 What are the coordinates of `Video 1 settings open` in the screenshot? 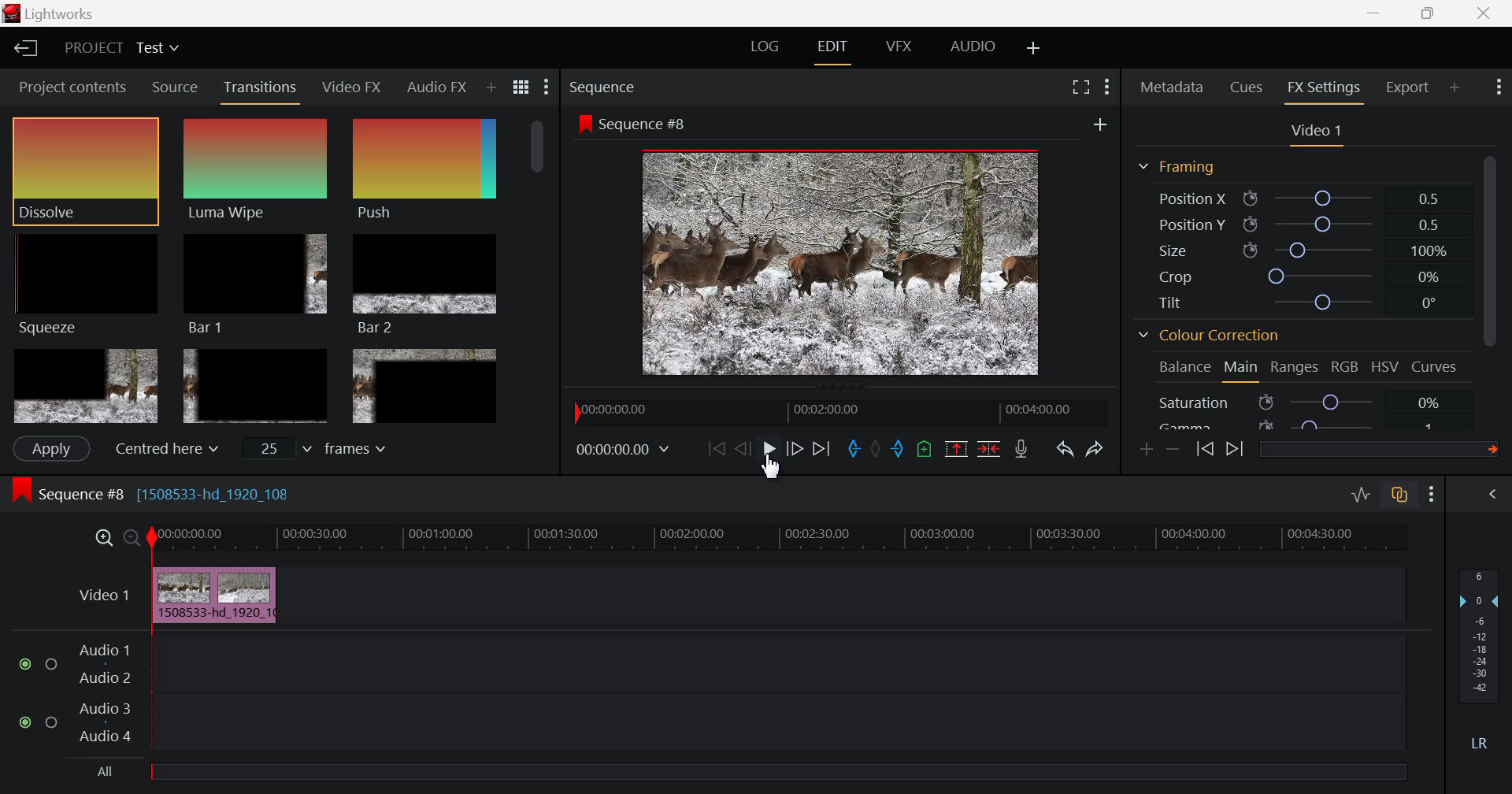 It's located at (1318, 132).